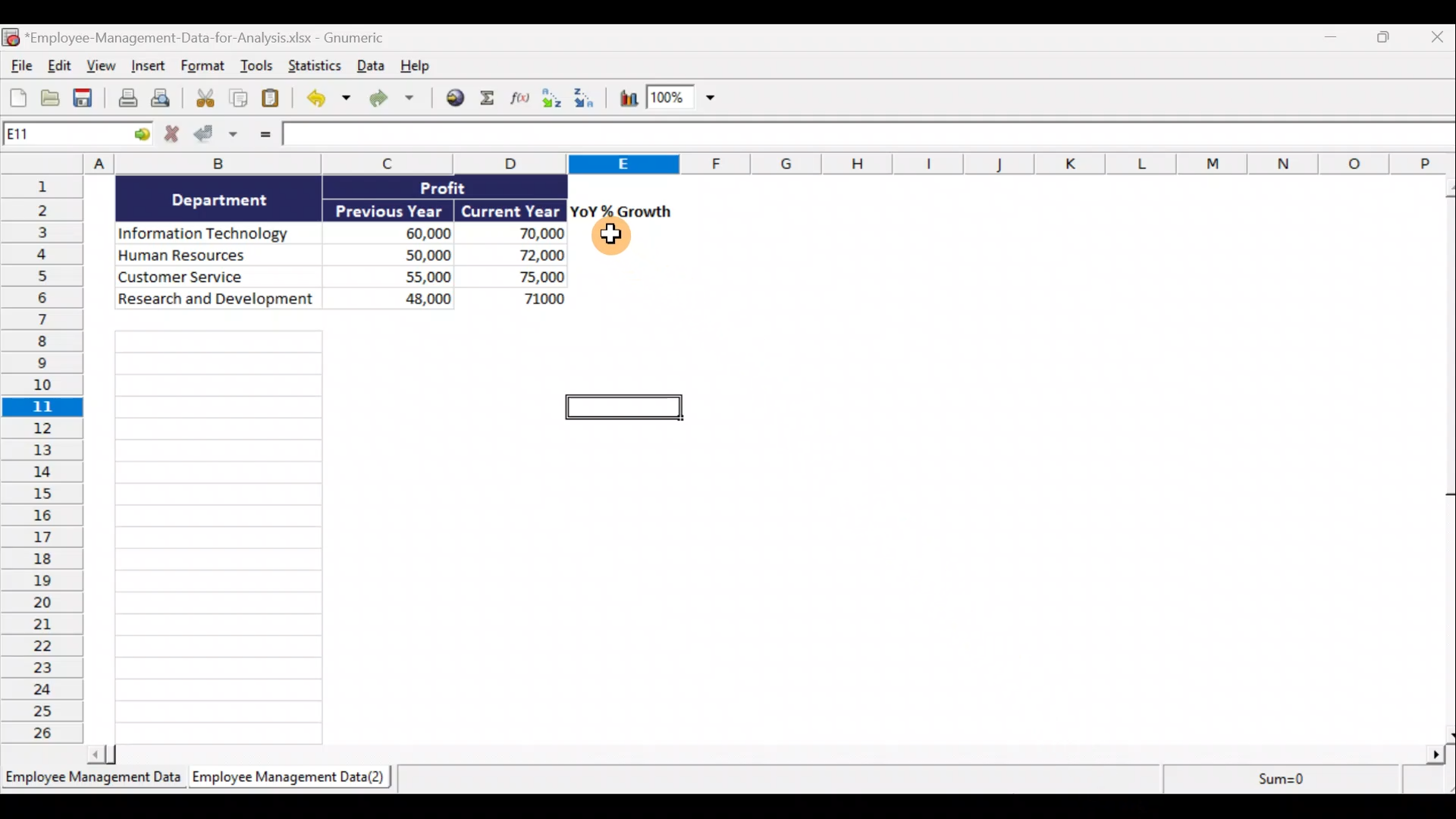 This screenshot has height=819, width=1456. What do you see at coordinates (622, 211) in the screenshot?
I see `YoY% Growth` at bounding box center [622, 211].